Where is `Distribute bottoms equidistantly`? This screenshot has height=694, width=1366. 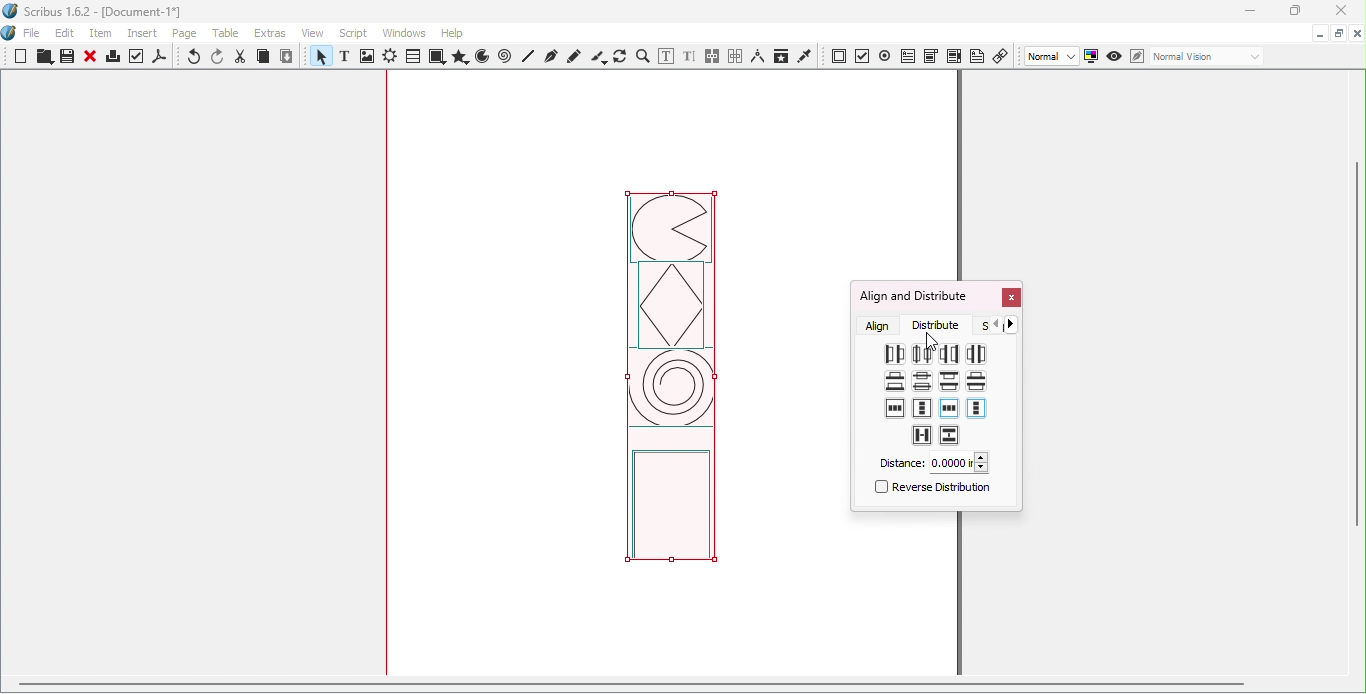 Distribute bottoms equidistantly is located at coordinates (895, 381).